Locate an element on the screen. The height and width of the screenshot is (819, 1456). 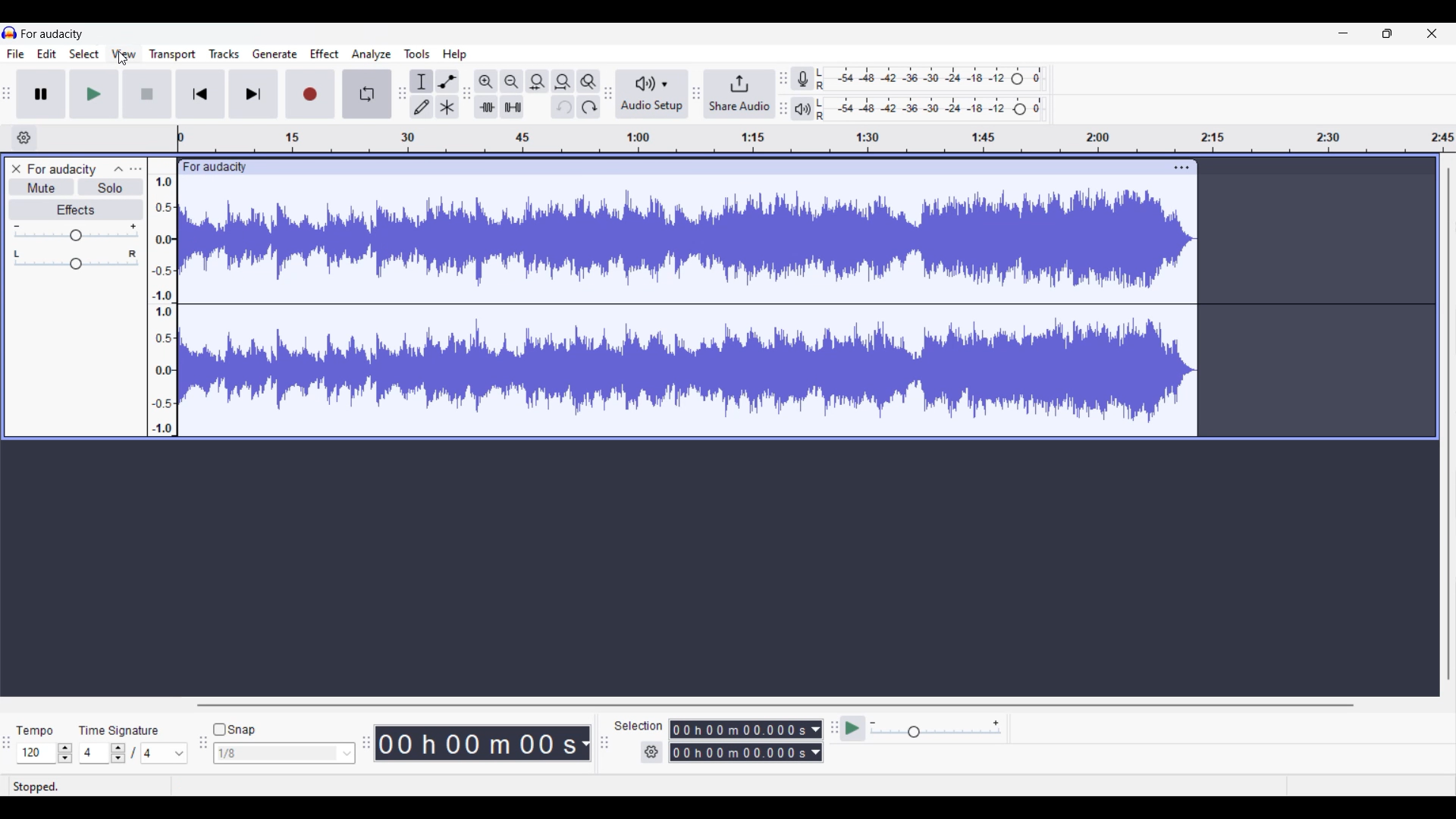
Timeline options is located at coordinates (24, 137).